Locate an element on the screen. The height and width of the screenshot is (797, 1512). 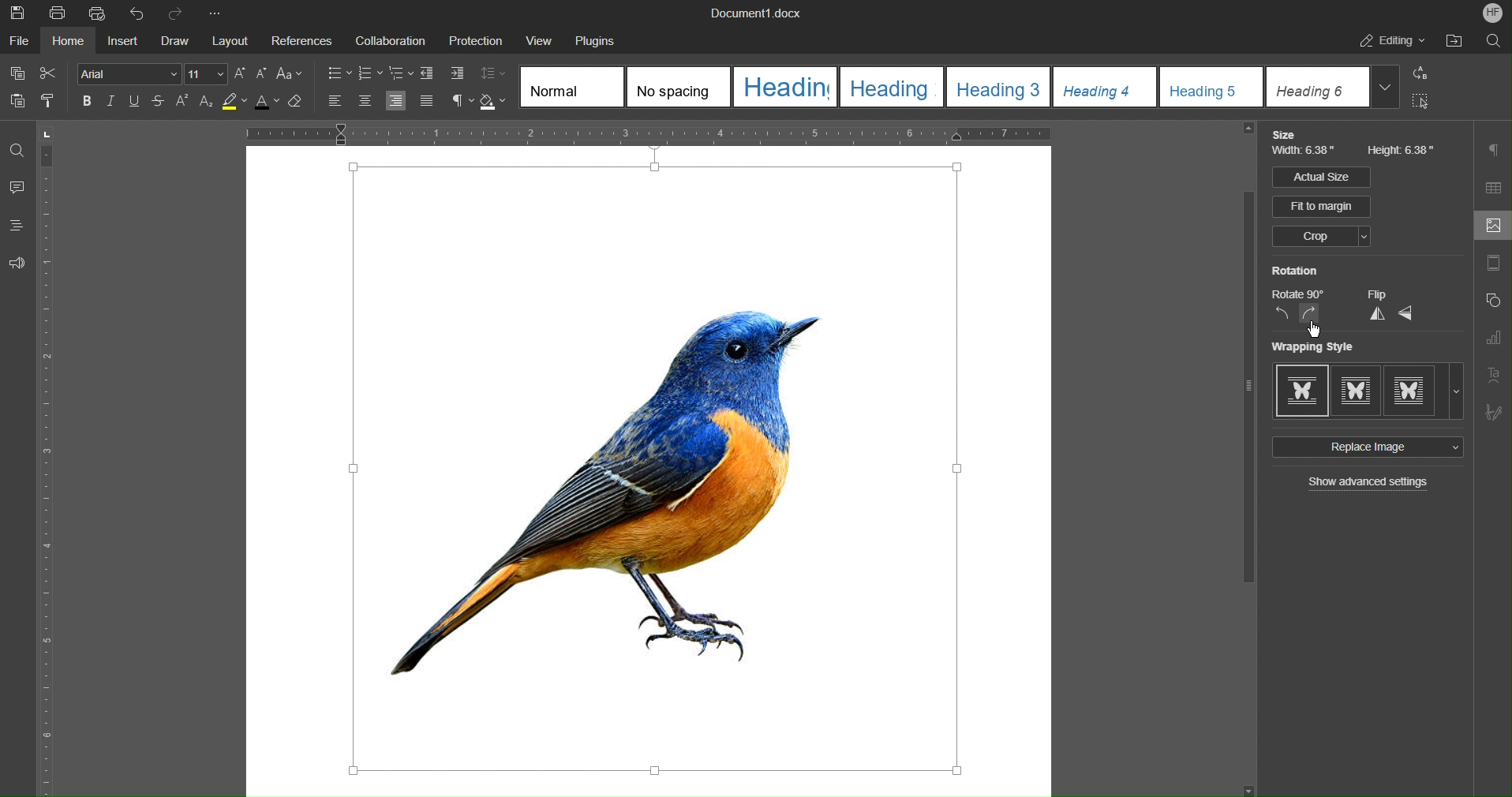
Show advanced settings is located at coordinates (1367, 485).